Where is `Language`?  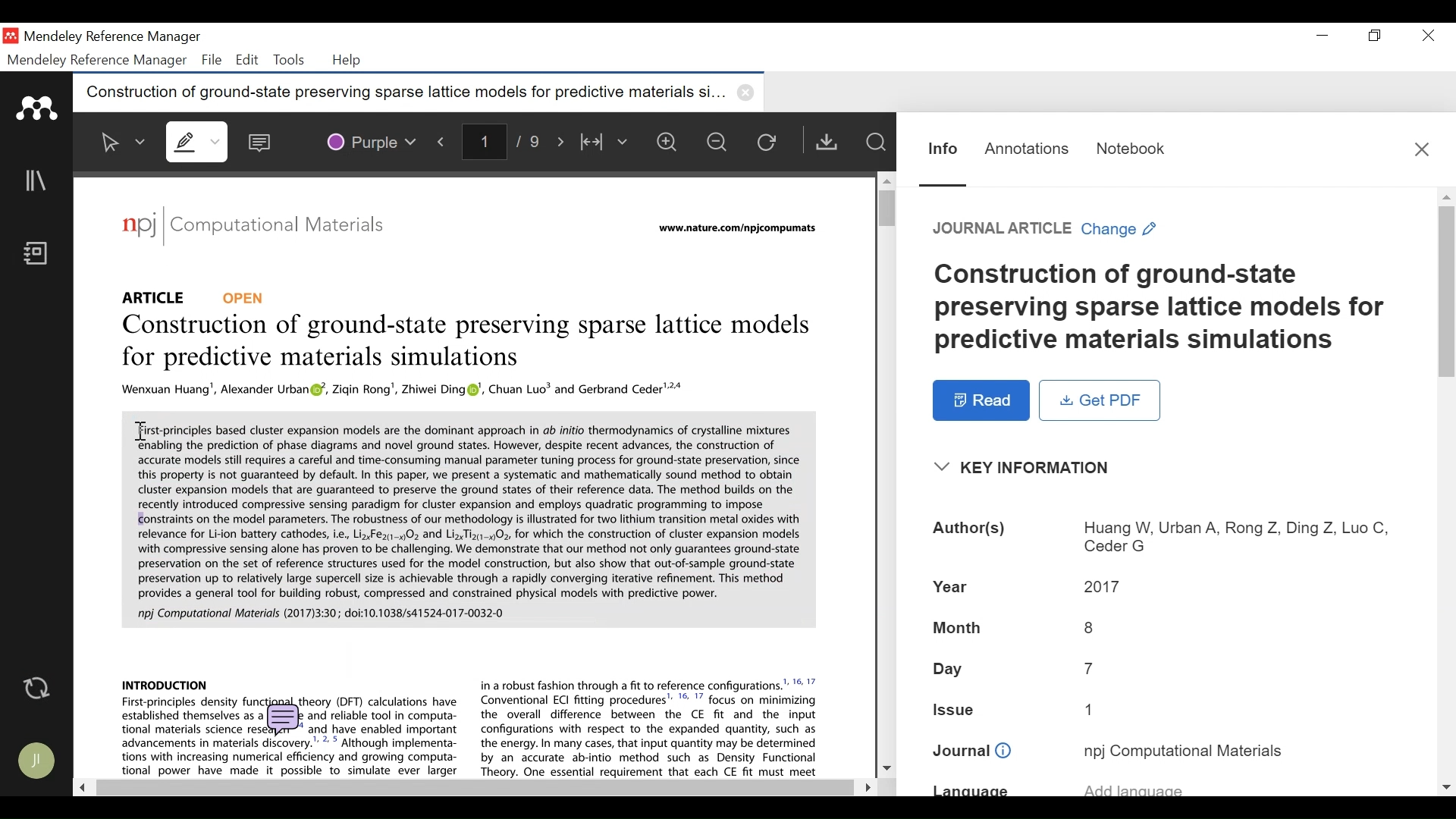 Language is located at coordinates (1134, 786).